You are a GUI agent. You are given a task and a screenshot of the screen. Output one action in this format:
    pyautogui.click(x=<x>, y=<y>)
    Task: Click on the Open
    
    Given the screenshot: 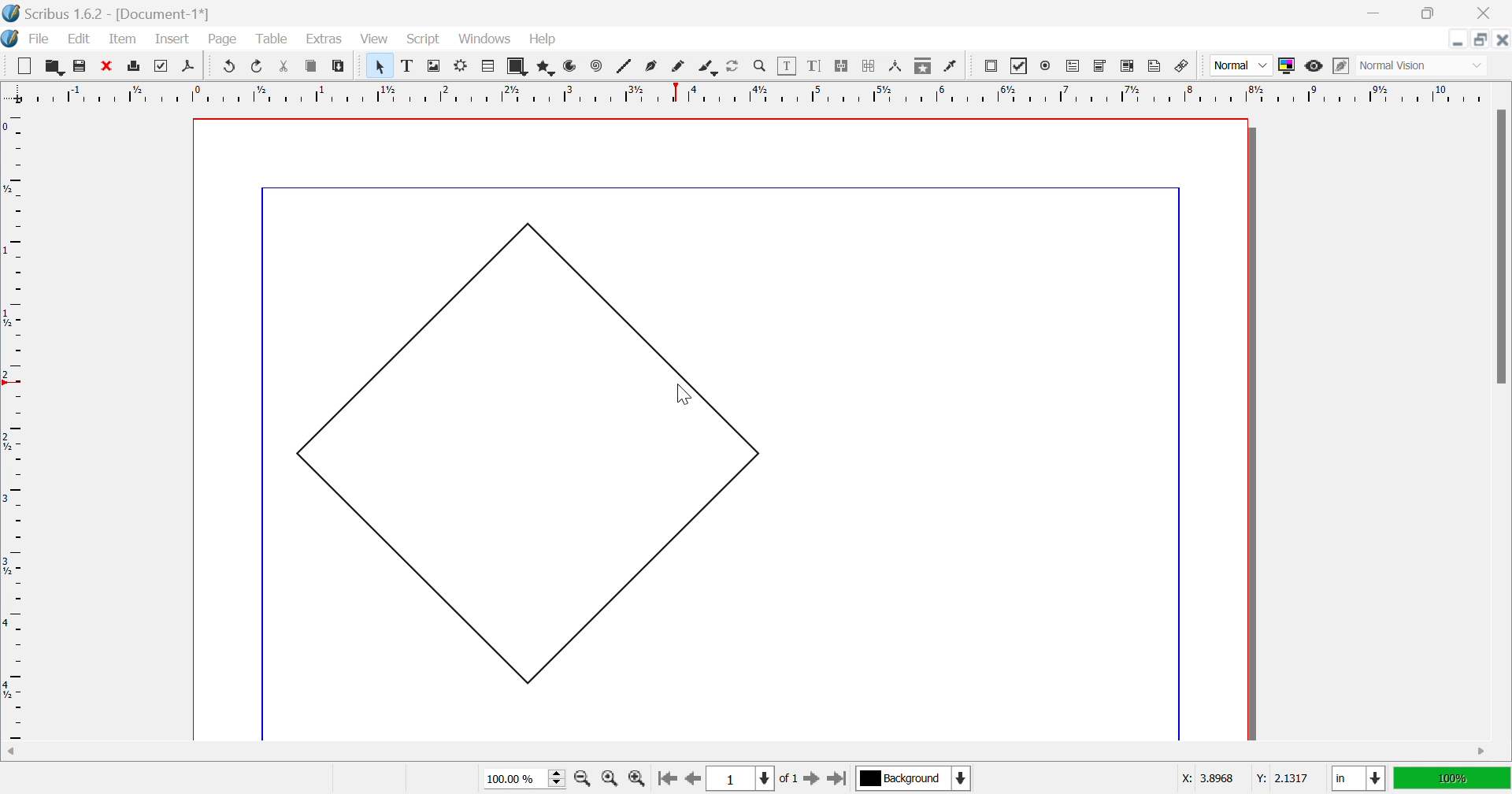 What is the action you would take?
    pyautogui.click(x=54, y=65)
    